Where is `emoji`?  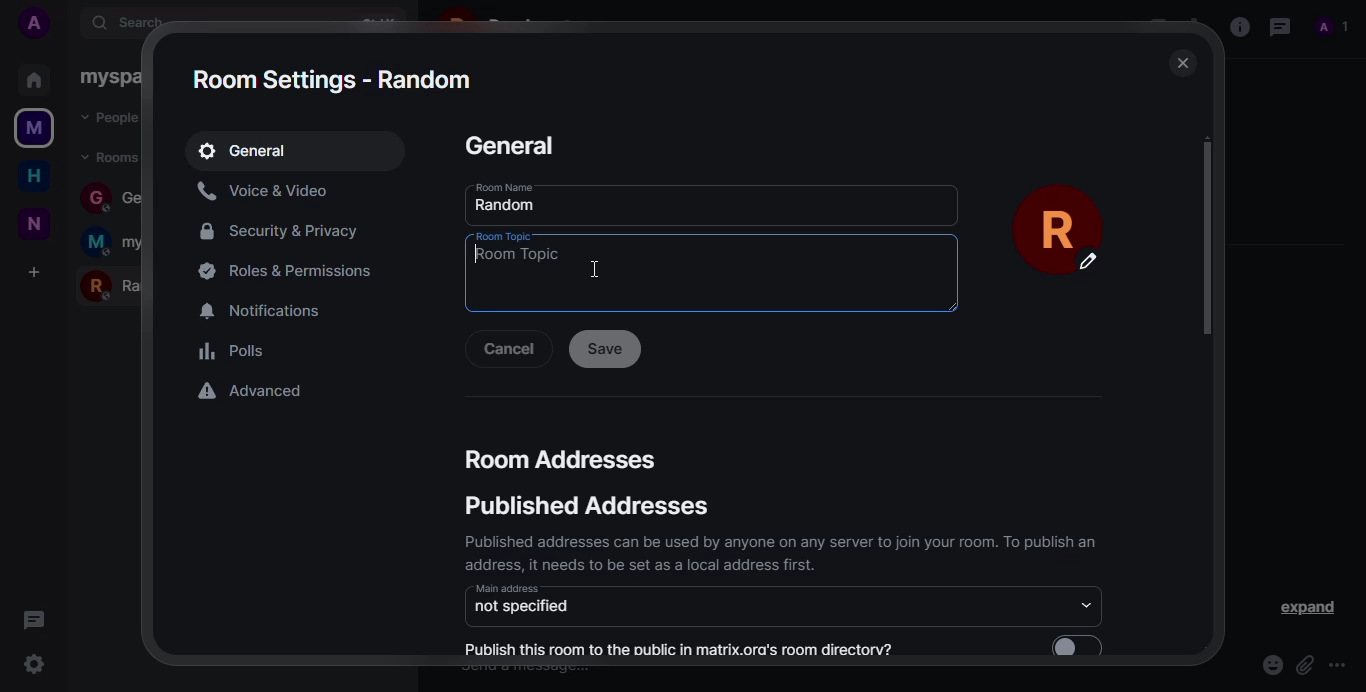
emoji is located at coordinates (1264, 660).